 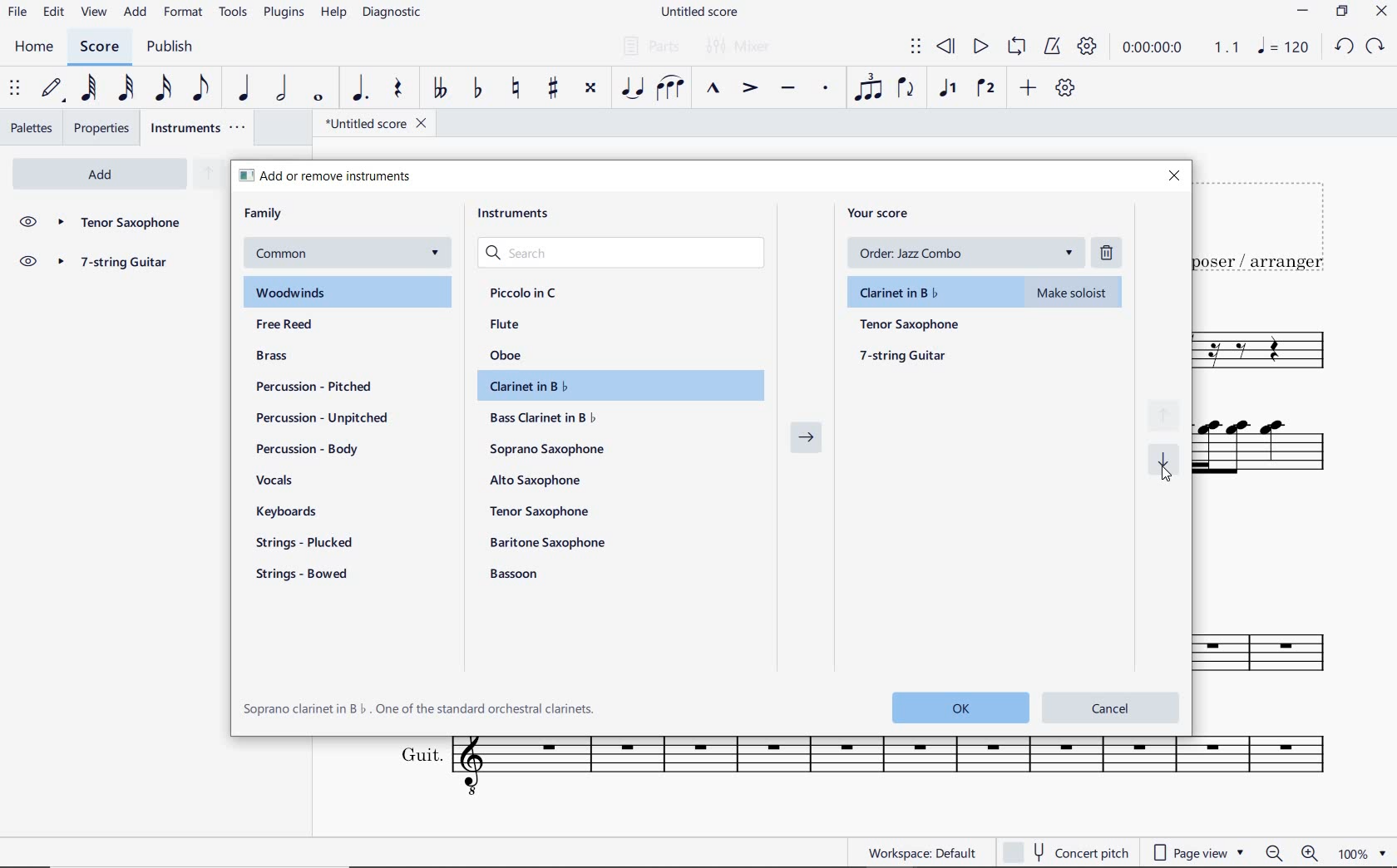 What do you see at coordinates (1381, 12) in the screenshot?
I see `CLOSE` at bounding box center [1381, 12].